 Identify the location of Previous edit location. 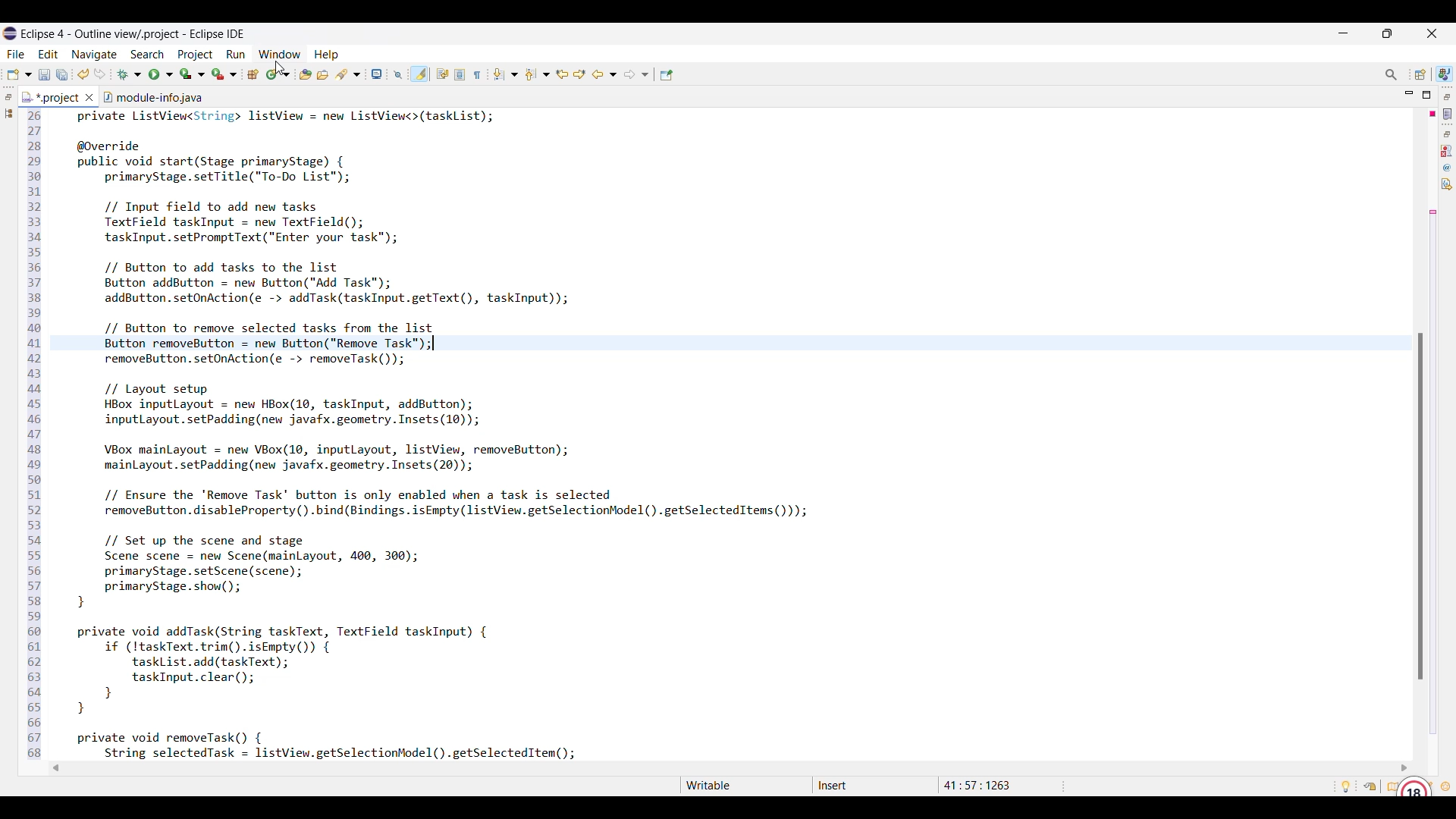
(562, 74).